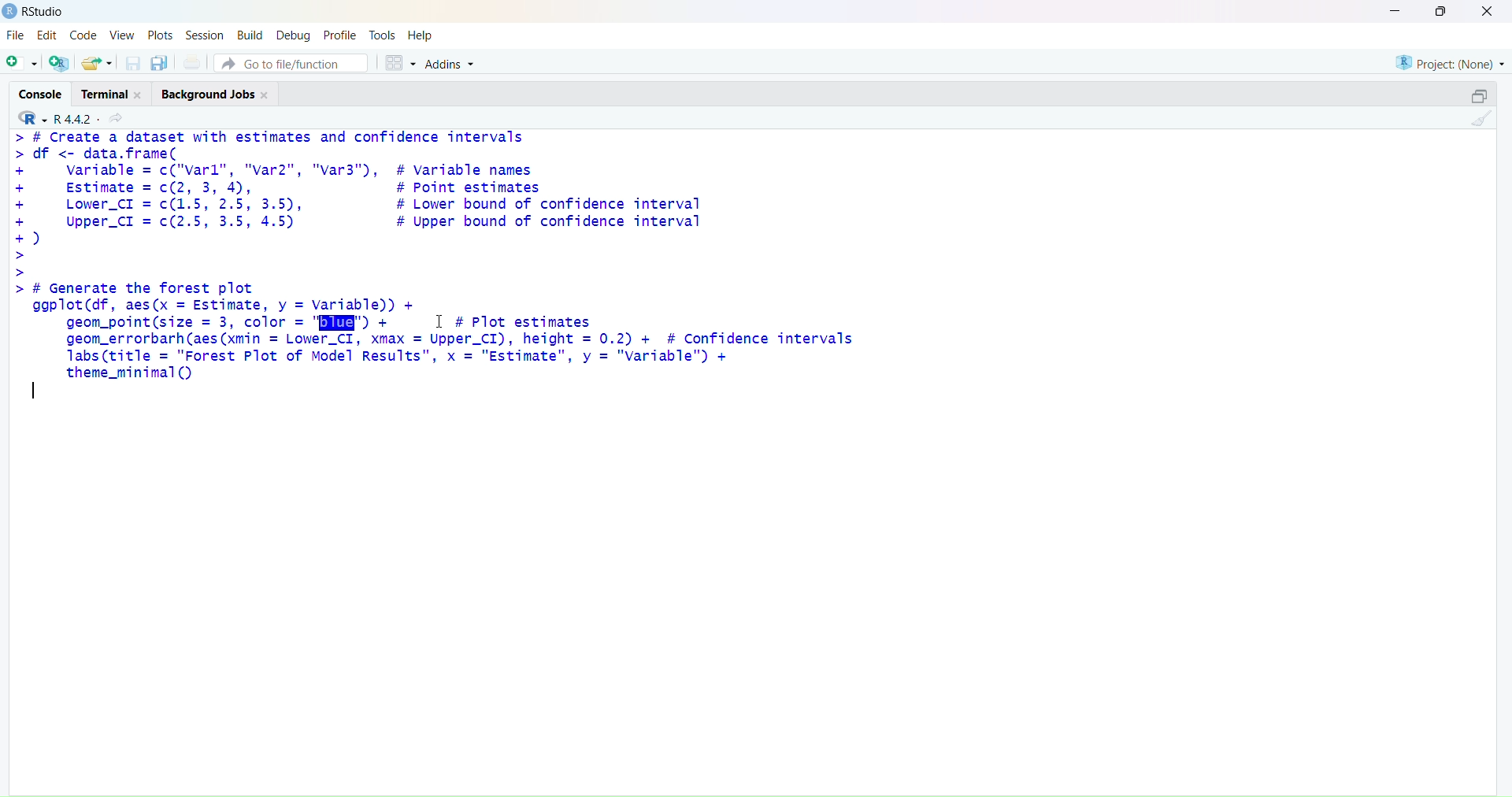 The image size is (1512, 797). What do you see at coordinates (449, 64) in the screenshot?
I see `Addins` at bounding box center [449, 64].